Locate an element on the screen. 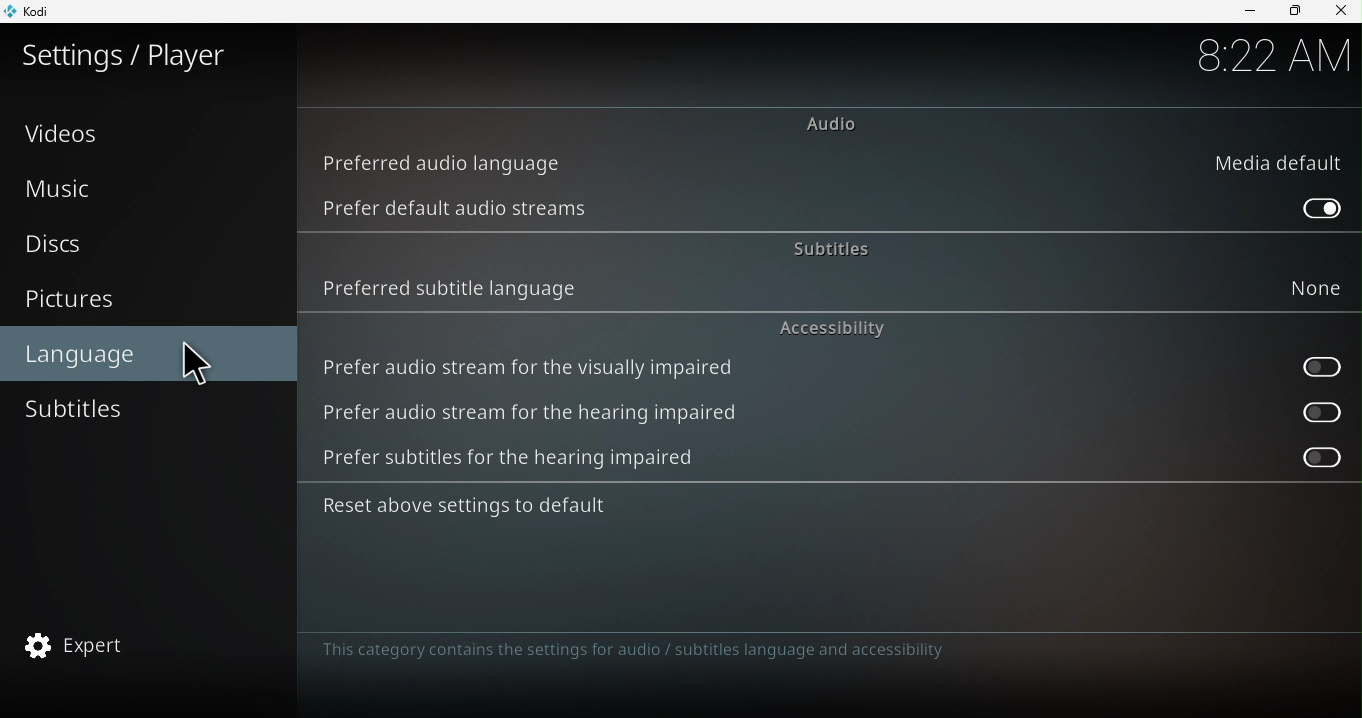 The height and width of the screenshot is (718, 1362). Reset above settings to default is located at coordinates (489, 510).